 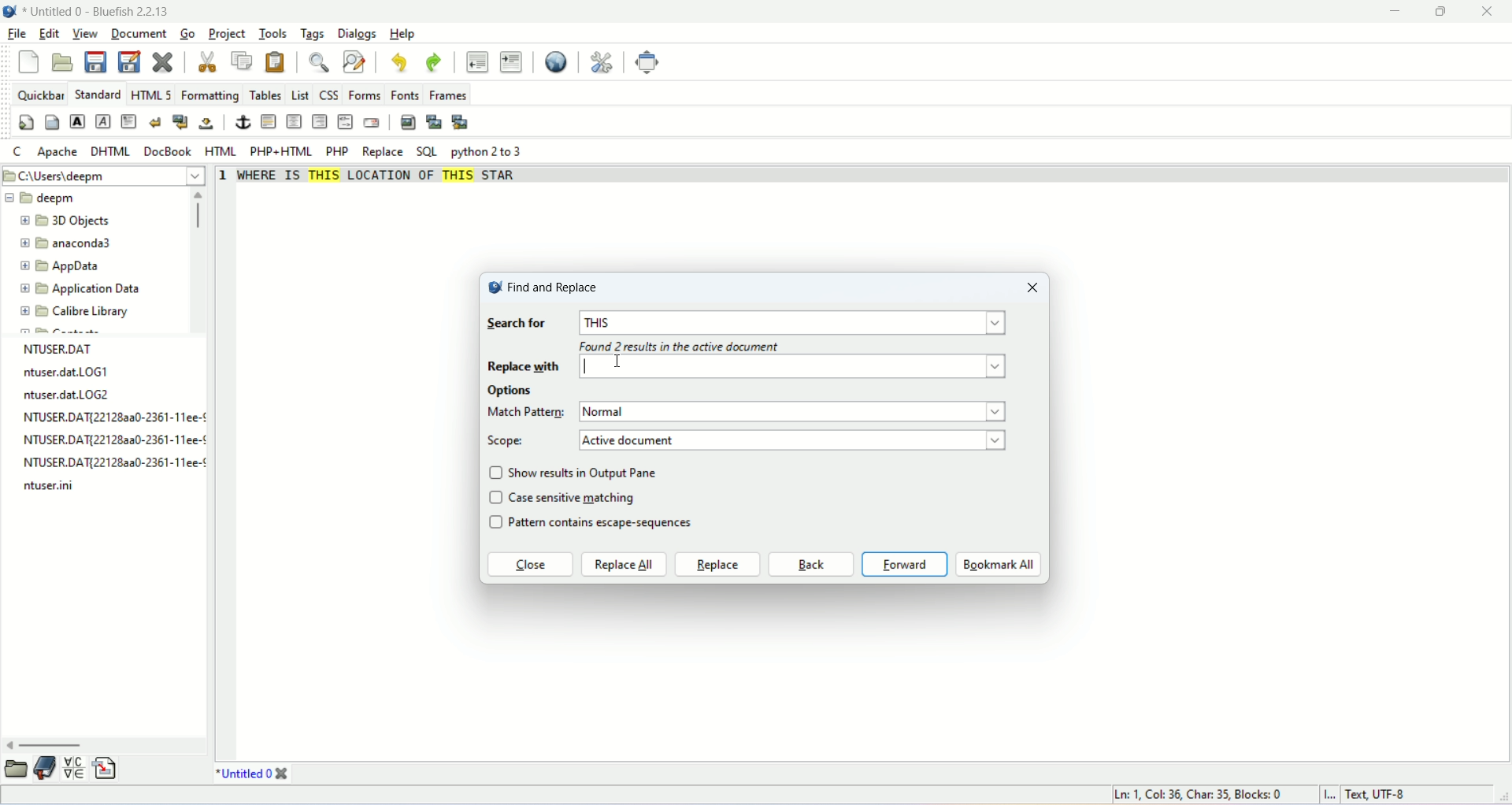 What do you see at coordinates (105, 746) in the screenshot?
I see `scroll bar` at bounding box center [105, 746].